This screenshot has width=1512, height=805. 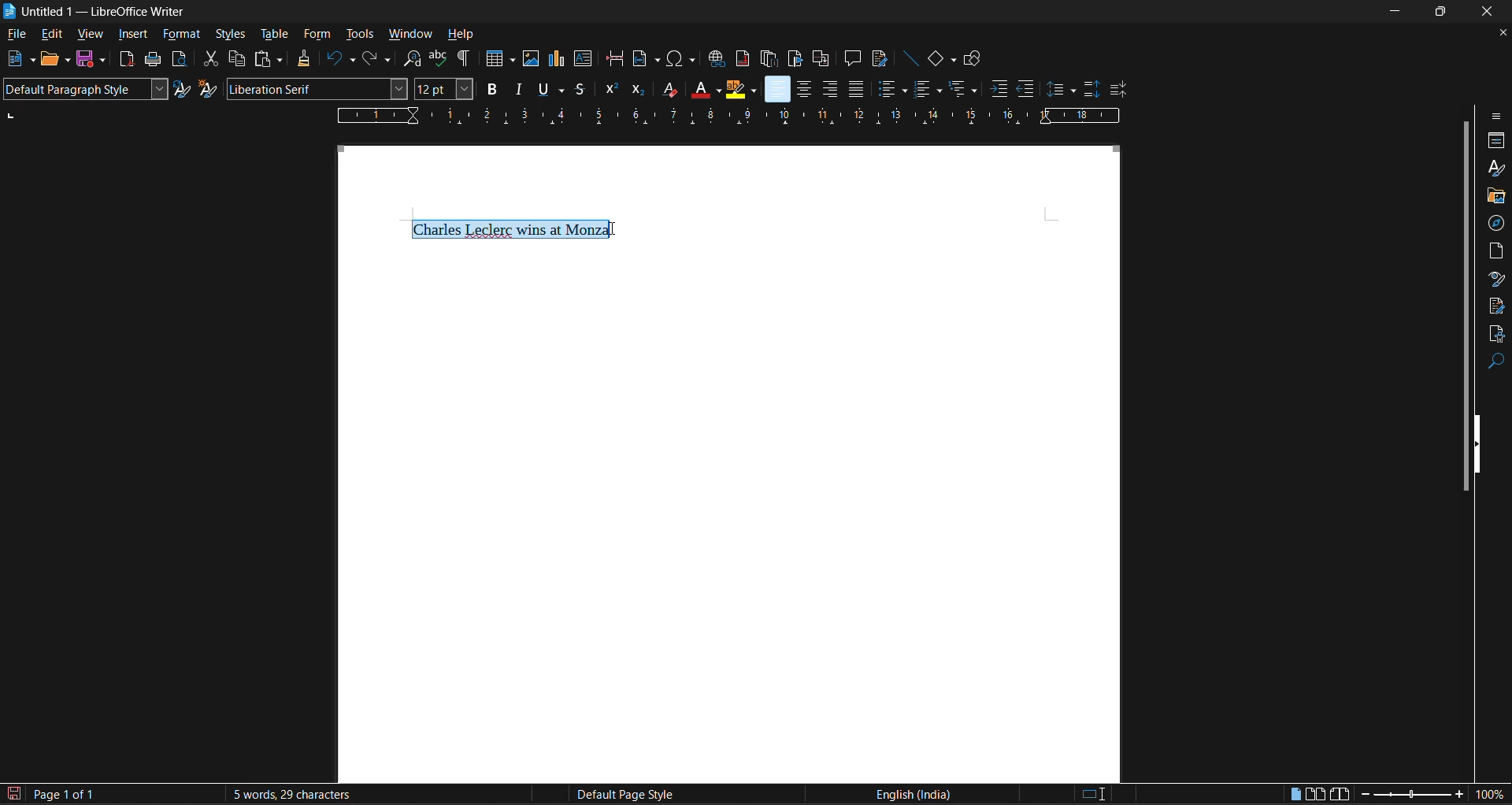 I want to click on align center, so click(x=801, y=91).